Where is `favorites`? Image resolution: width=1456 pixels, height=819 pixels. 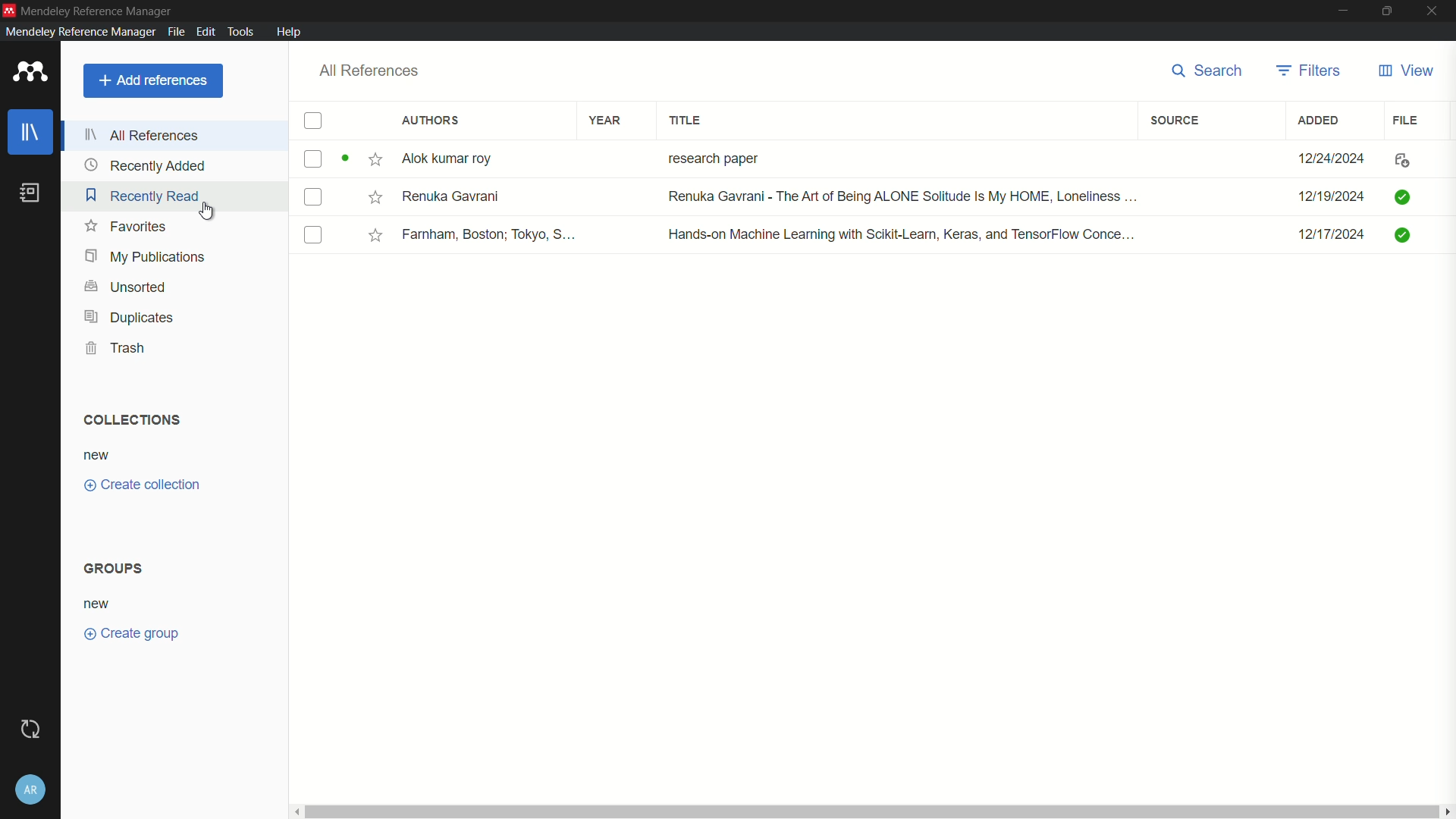
favorites is located at coordinates (127, 227).